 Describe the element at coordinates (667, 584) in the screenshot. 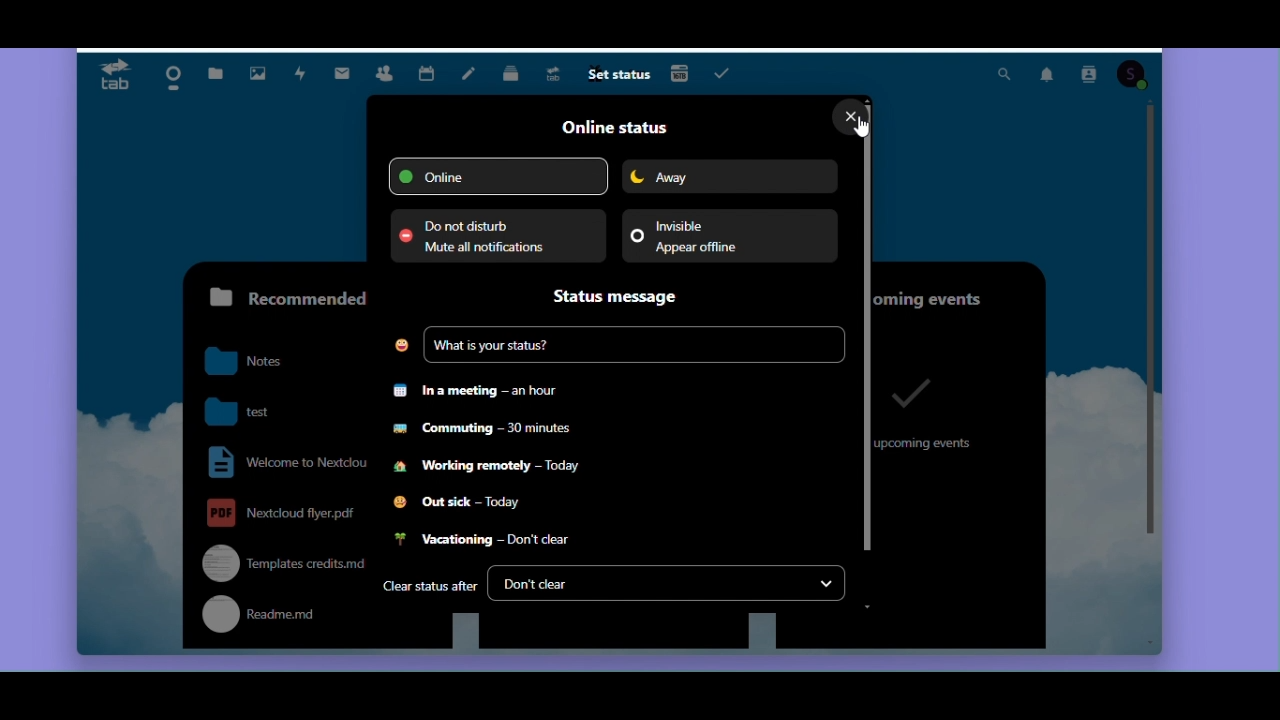

I see `Don't clear` at that location.